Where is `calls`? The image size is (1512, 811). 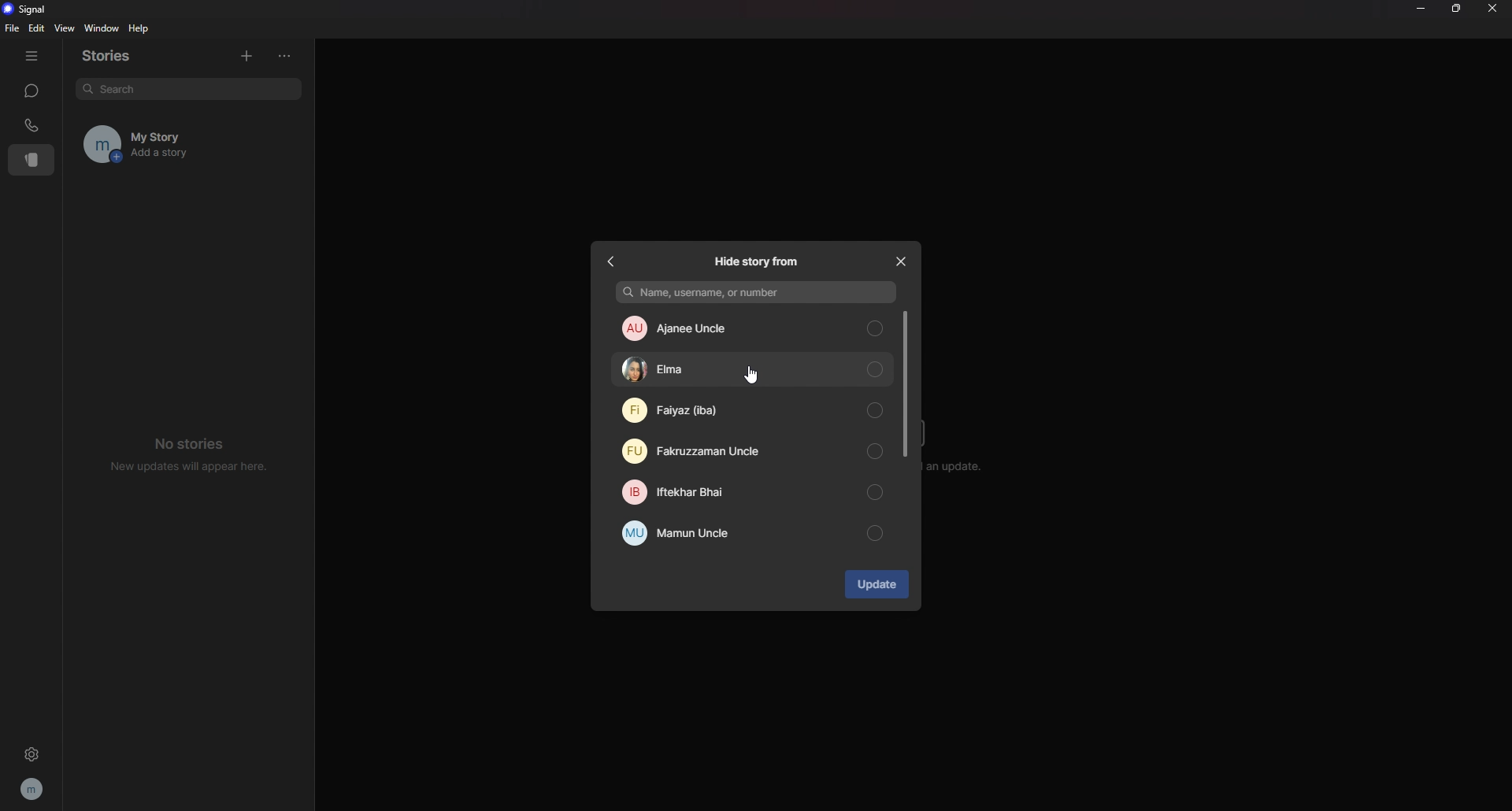 calls is located at coordinates (32, 125).